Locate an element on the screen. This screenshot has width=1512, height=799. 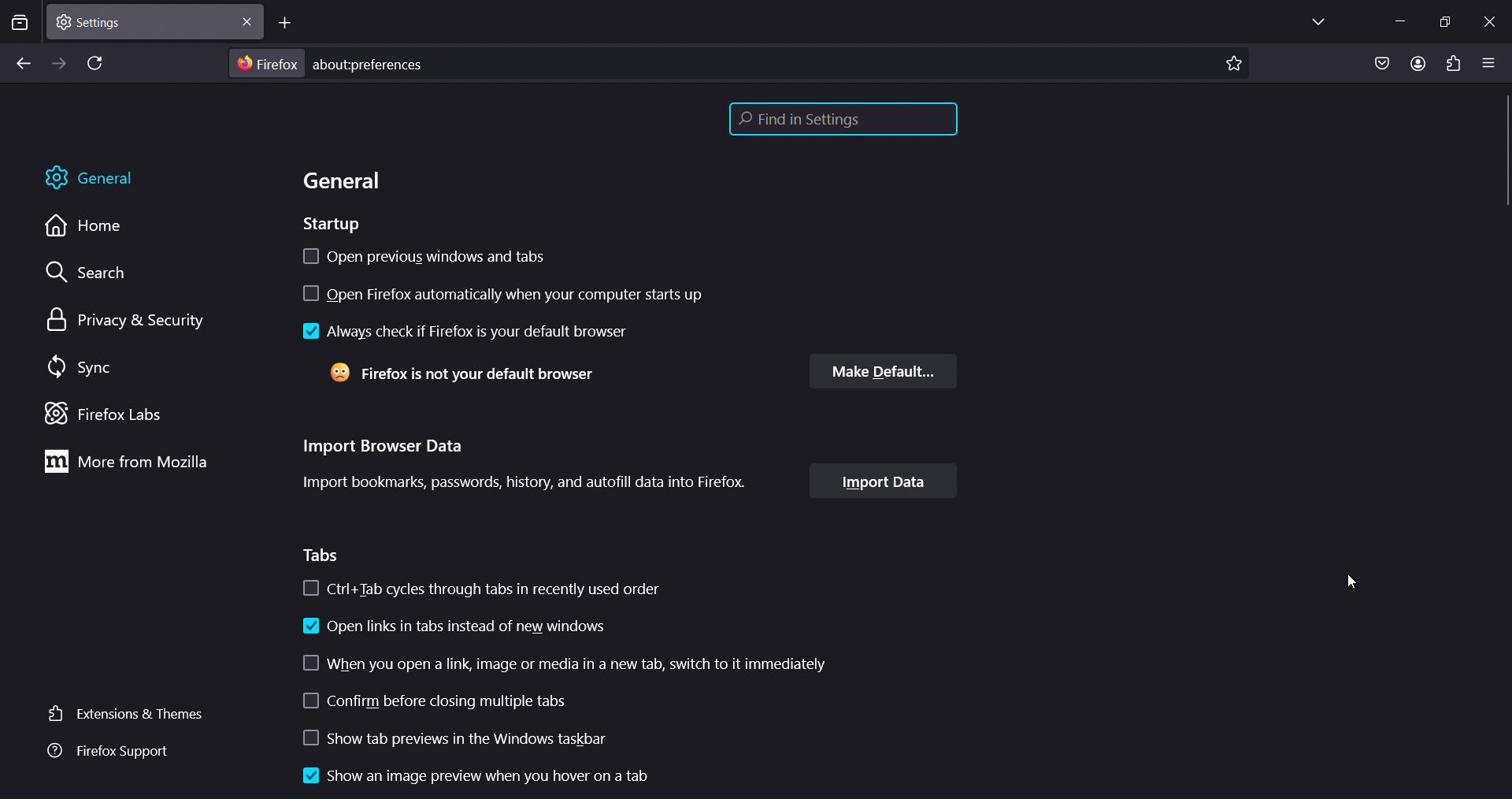
Firefox is not your default browser is located at coordinates (466, 373).